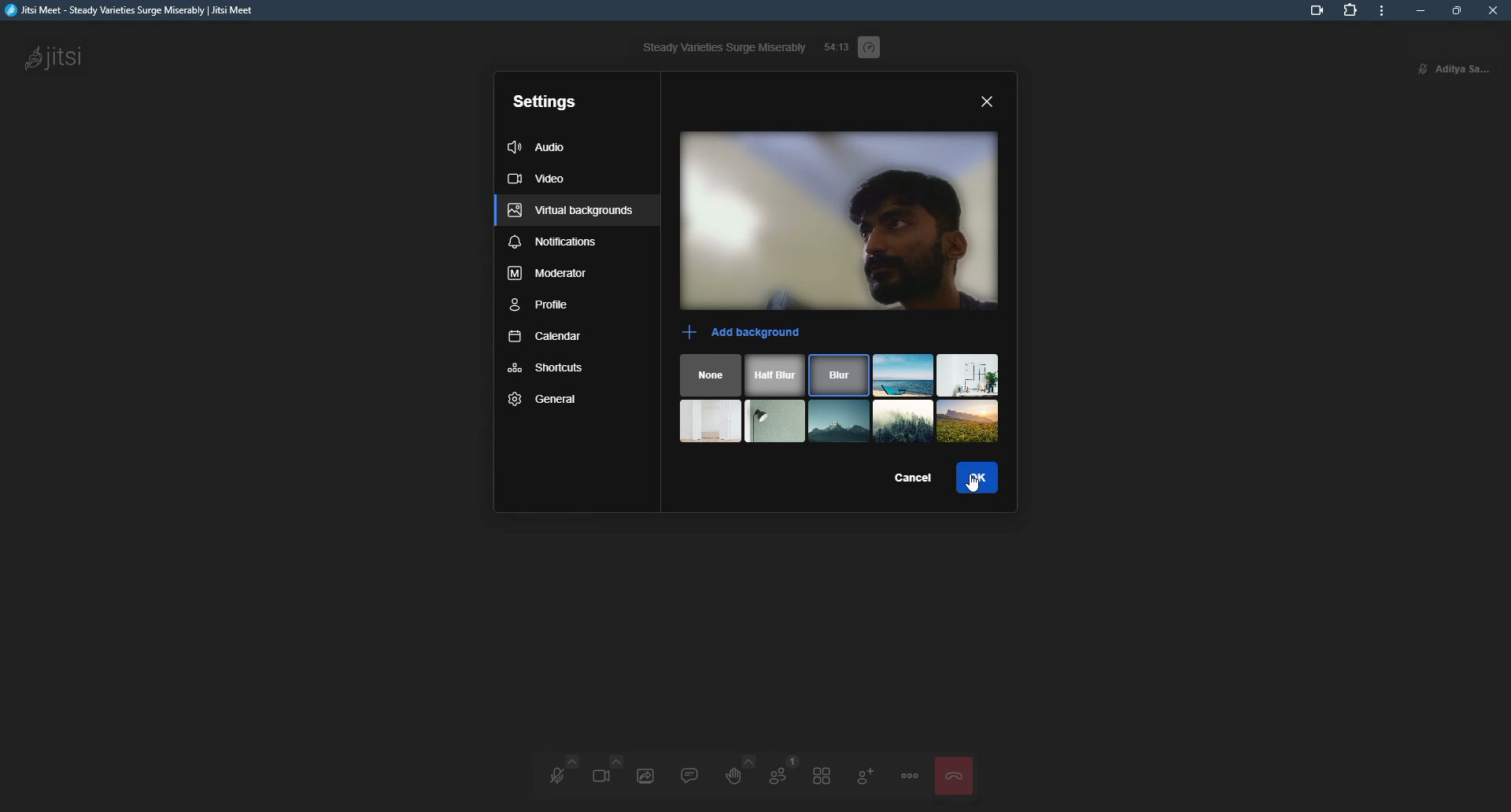 The width and height of the screenshot is (1511, 812). What do you see at coordinates (951, 776) in the screenshot?
I see `end call` at bounding box center [951, 776].